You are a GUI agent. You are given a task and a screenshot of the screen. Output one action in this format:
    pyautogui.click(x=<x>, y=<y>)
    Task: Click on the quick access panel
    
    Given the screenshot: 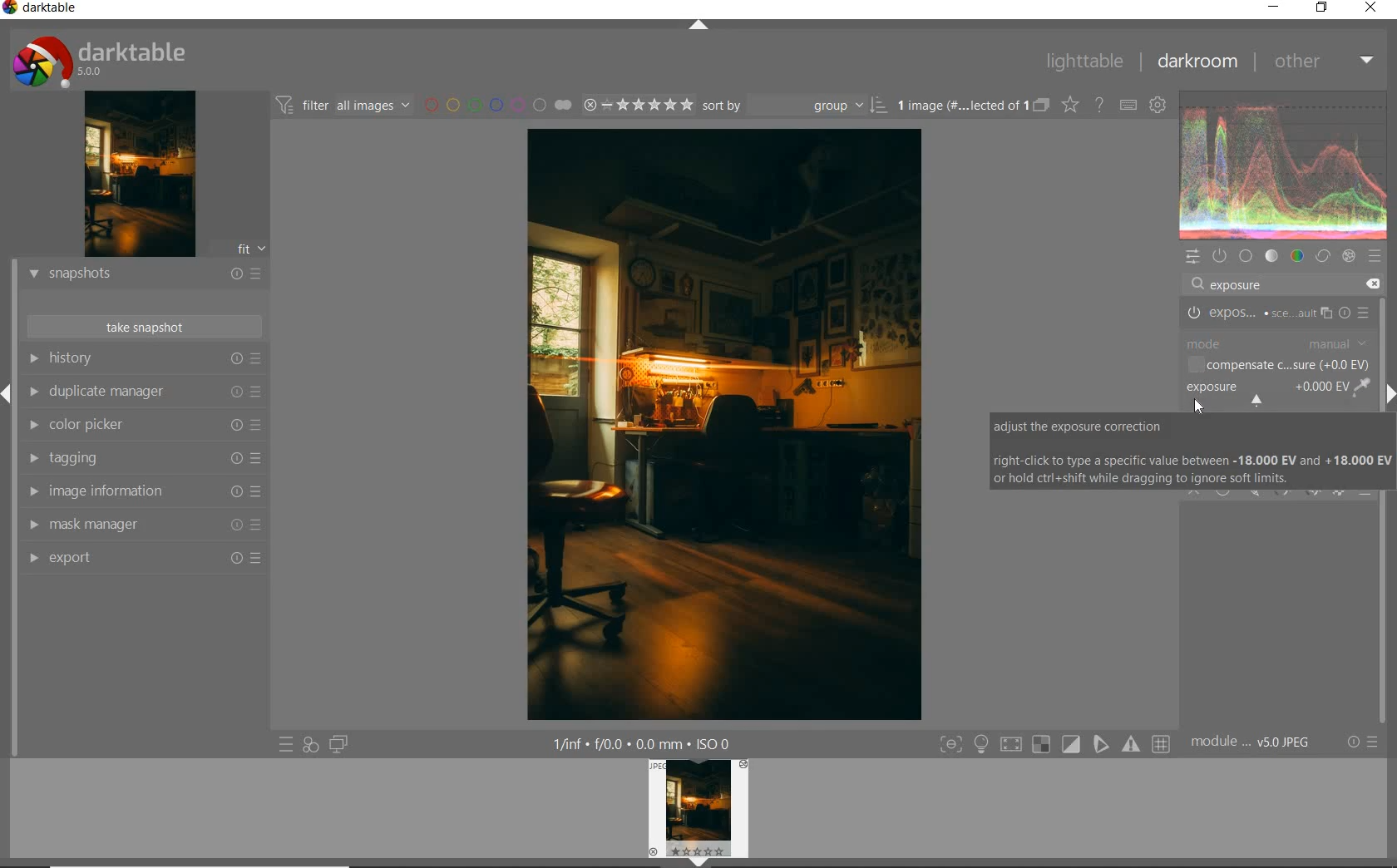 What is the action you would take?
    pyautogui.click(x=1192, y=256)
    